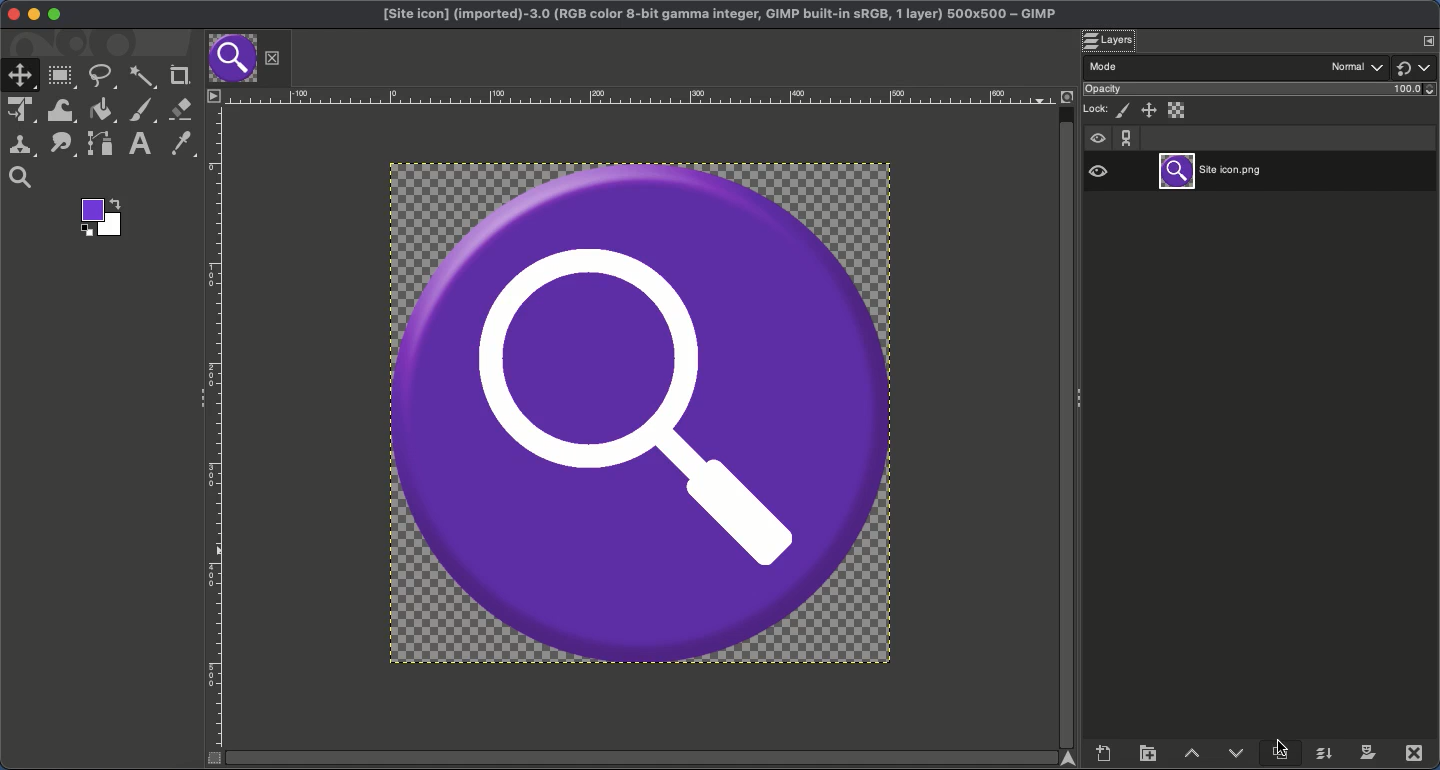 The width and height of the screenshot is (1440, 770). What do you see at coordinates (1104, 65) in the screenshot?
I see `Mode` at bounding box center [1104, 65].